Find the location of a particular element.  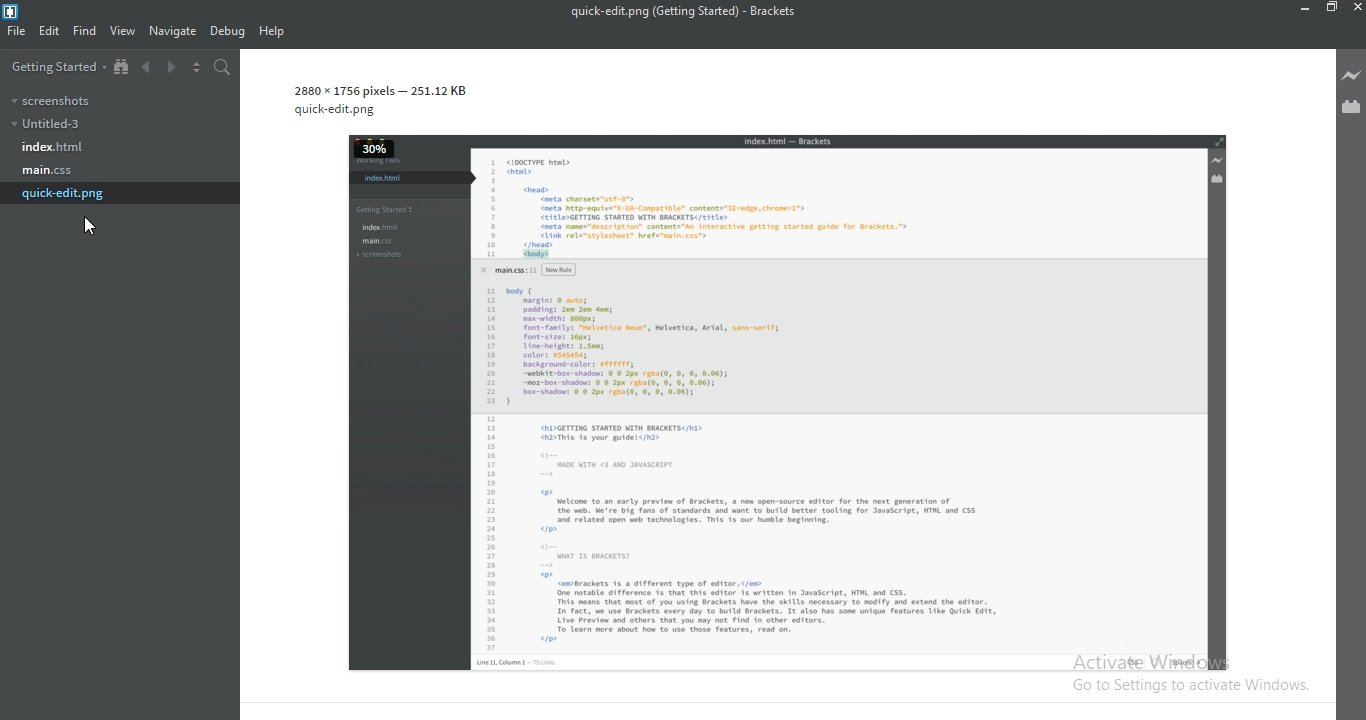

quick-edit.png image is located at coordinates (769, 379).